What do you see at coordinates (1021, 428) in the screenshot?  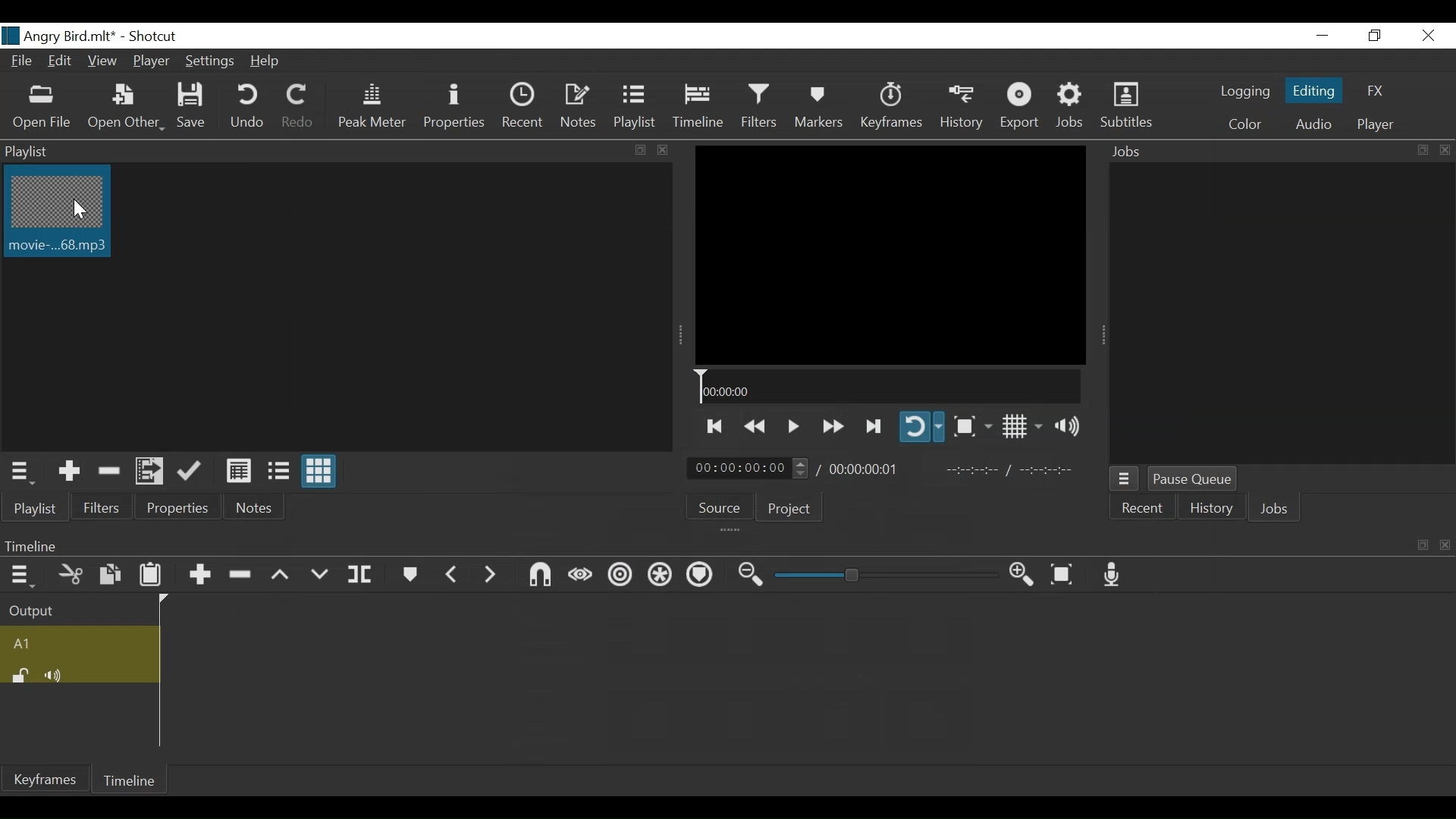 I see `Toggle display grid on player` at bounding box center [1021, 428].